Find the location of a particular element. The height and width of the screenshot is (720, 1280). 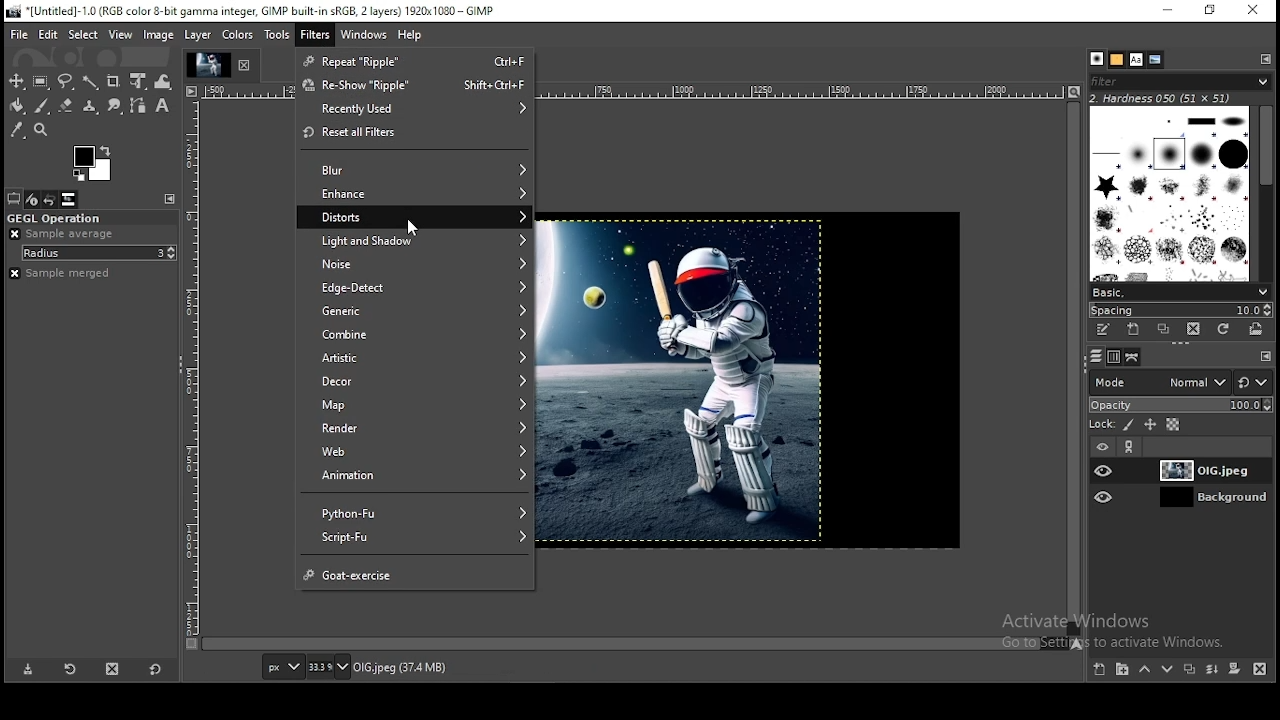

gegl operation is located at coordinates (89, 218).